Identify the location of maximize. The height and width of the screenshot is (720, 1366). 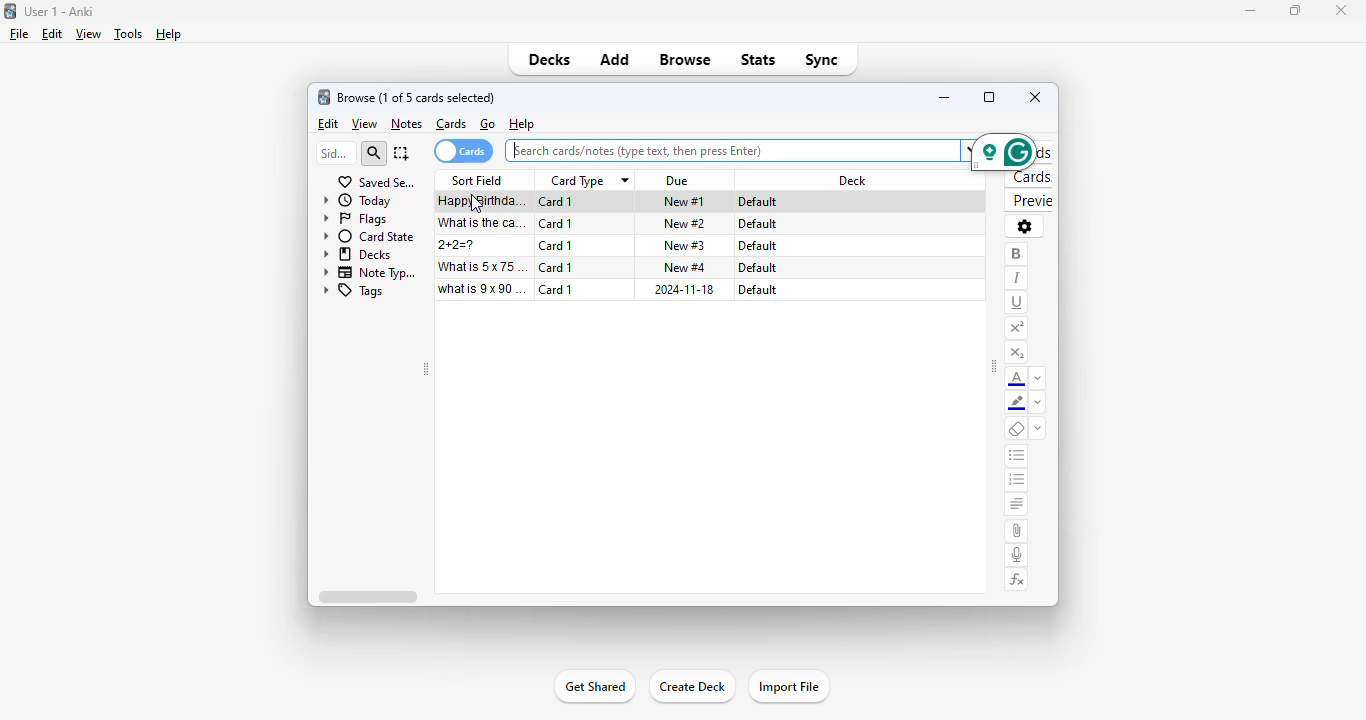
(989, 96).